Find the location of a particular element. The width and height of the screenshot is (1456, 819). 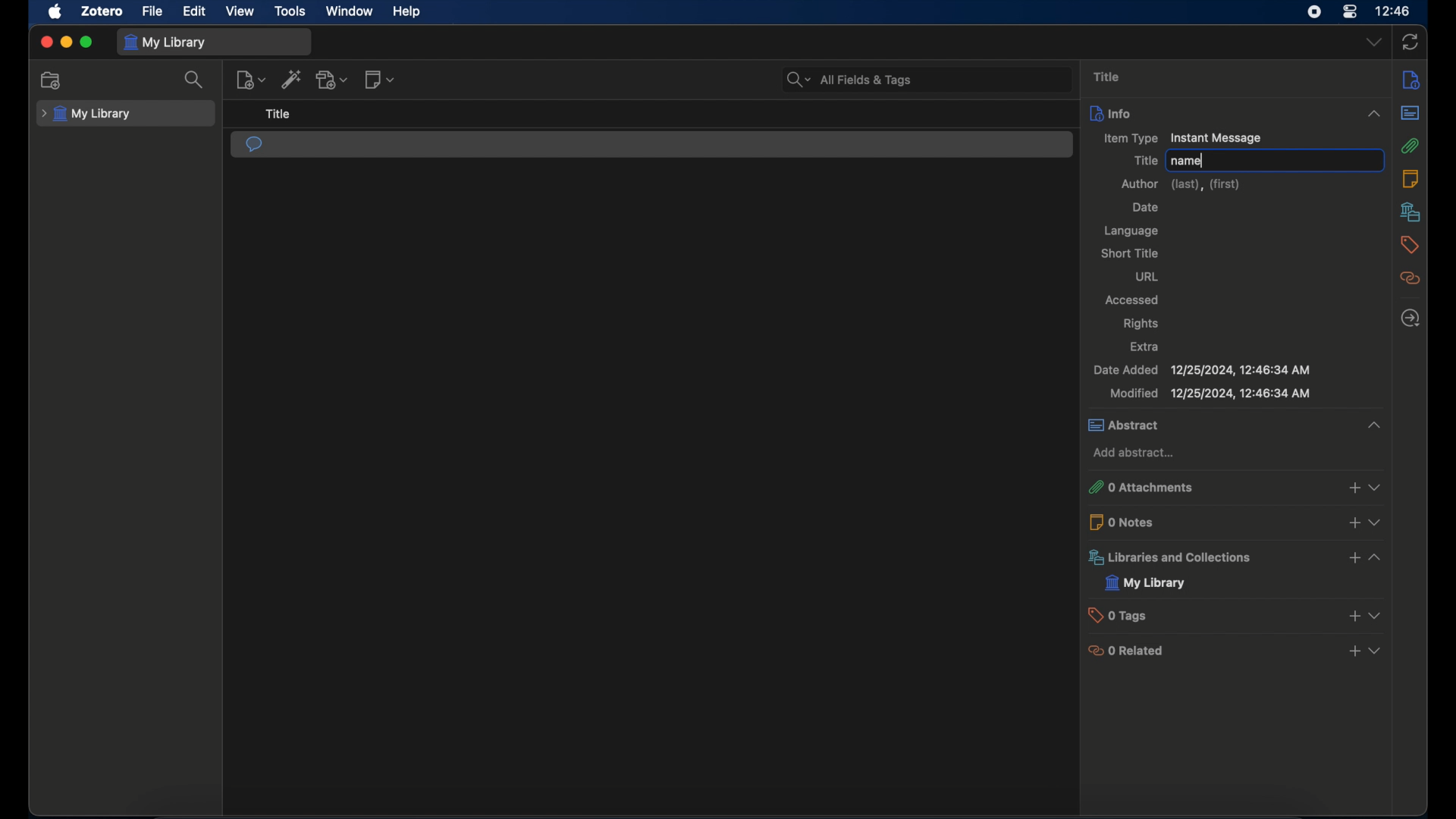

sync is located at coordinates (1410, 42).